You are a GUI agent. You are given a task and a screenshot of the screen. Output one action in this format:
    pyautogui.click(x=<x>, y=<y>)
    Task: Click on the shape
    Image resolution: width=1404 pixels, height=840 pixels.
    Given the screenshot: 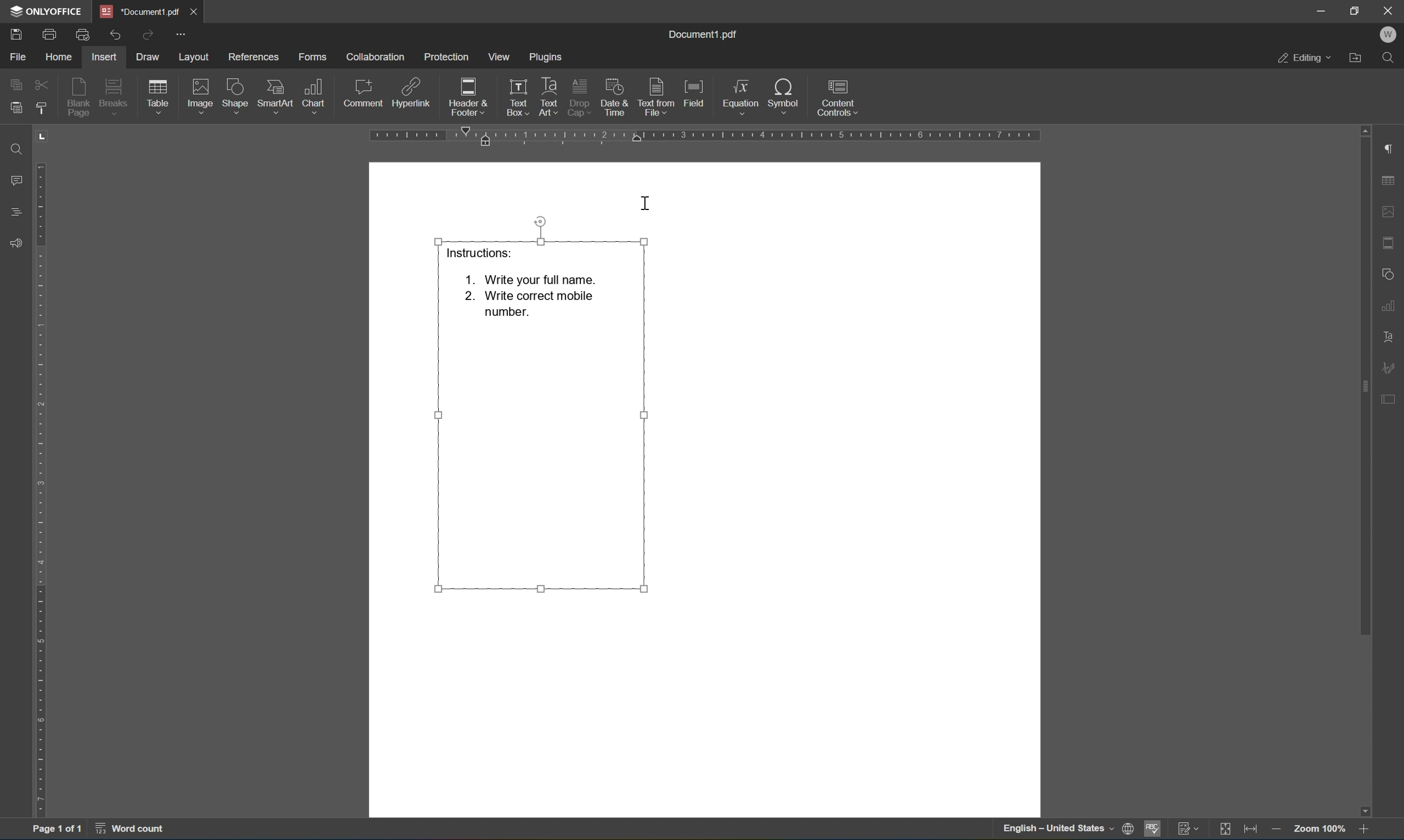 What is the action you would take?
    pyautogui.click(x=238, y=97)
    